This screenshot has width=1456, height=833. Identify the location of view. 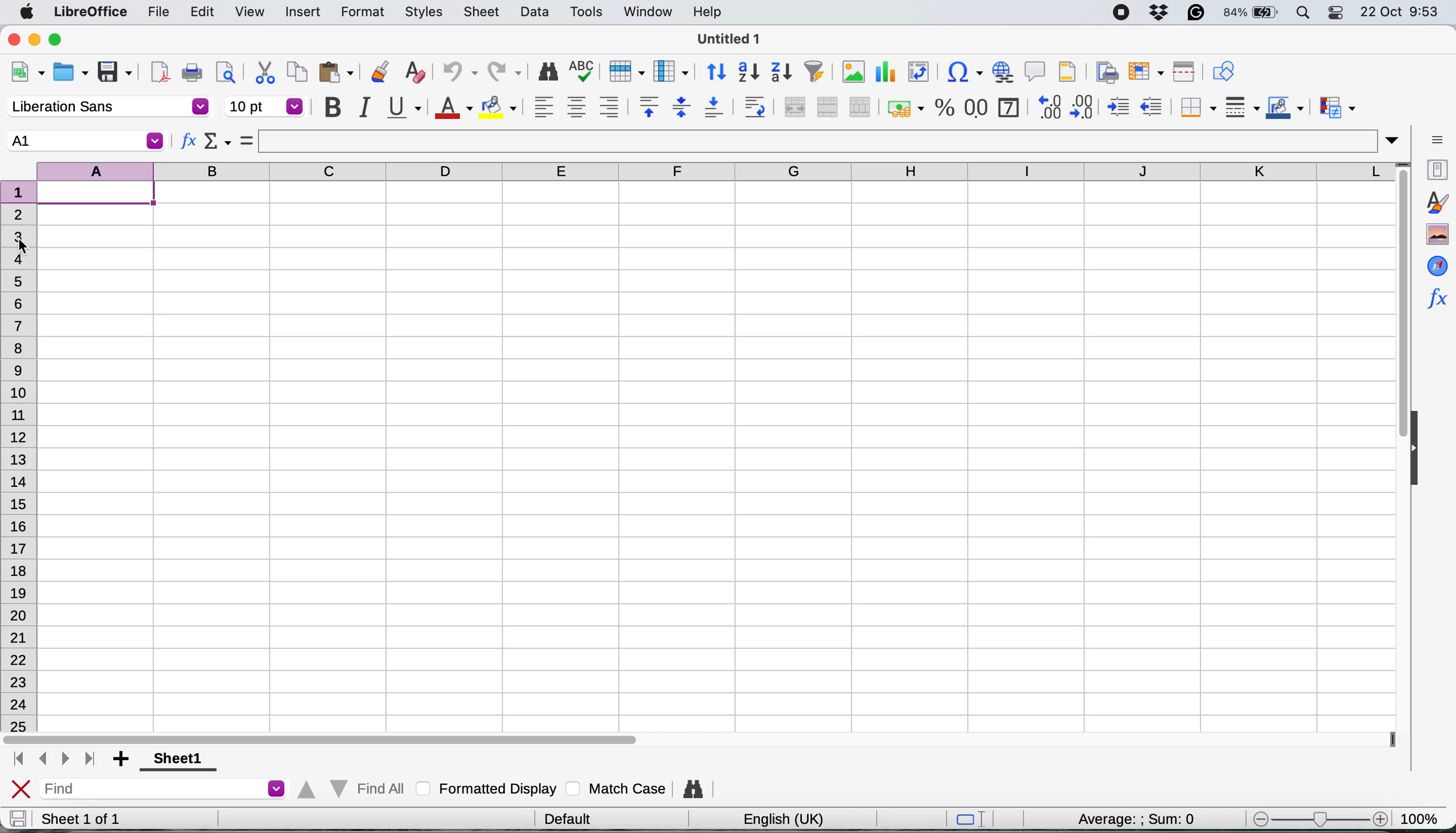
(249, 12).